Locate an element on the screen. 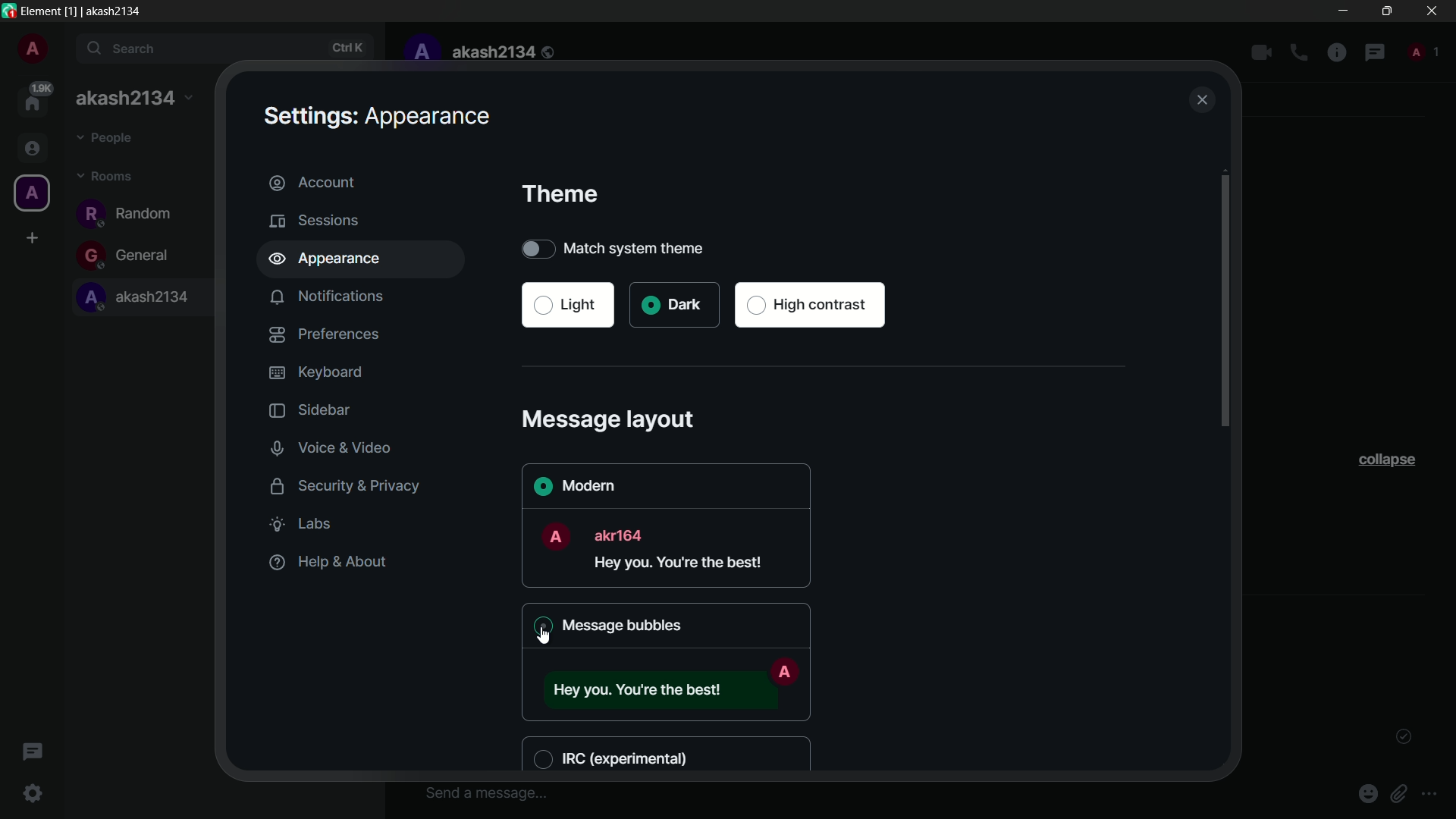 The height and width of the screenshot is (819, 1456). people is located at coordinates (108, 140).